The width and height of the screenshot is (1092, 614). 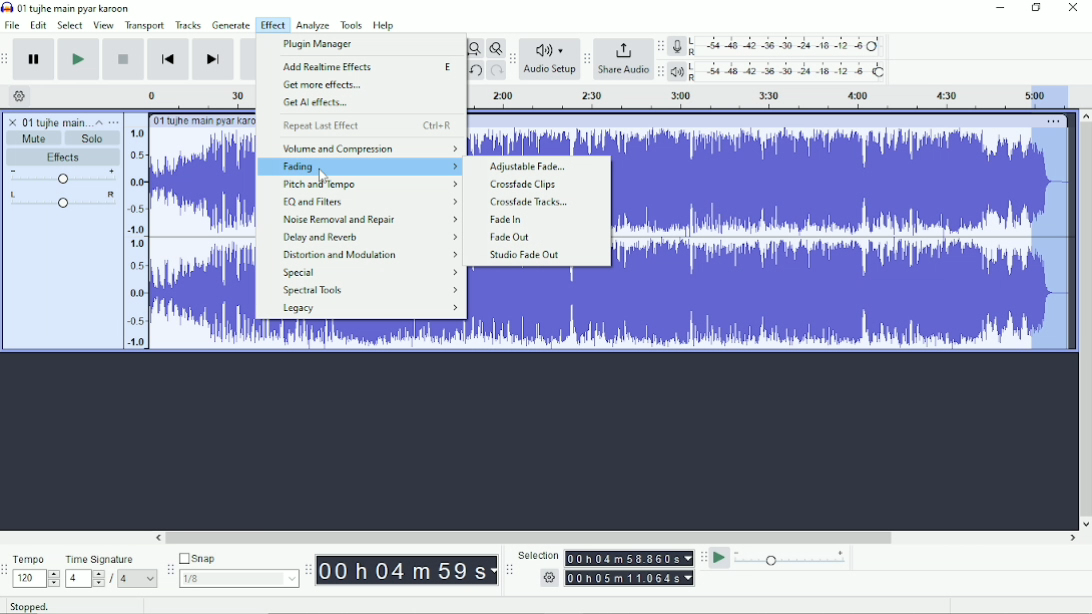 I want to click on close, so click(x=11, y=121).